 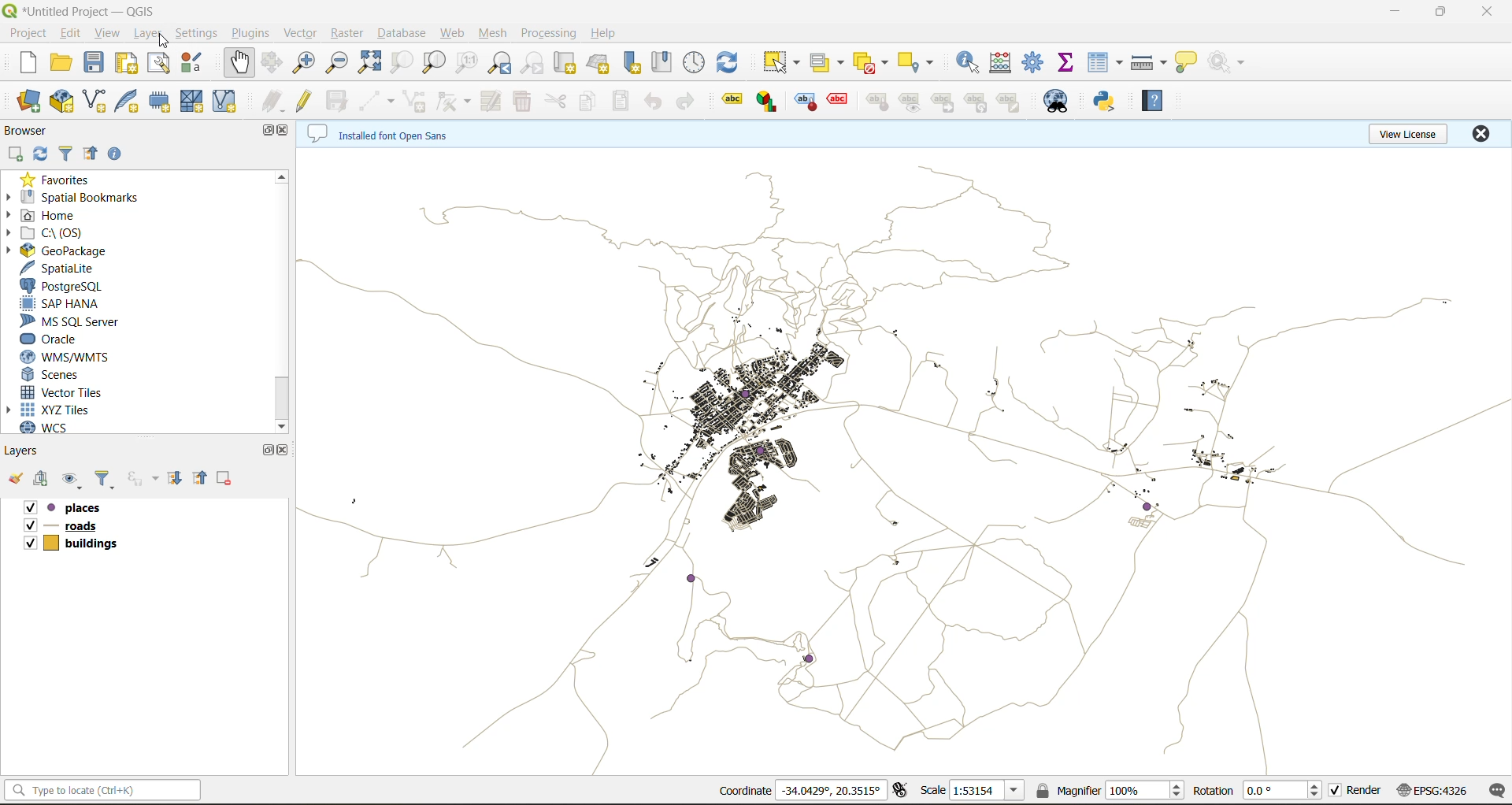 I want to click on edits, so click(x=270, y=99).